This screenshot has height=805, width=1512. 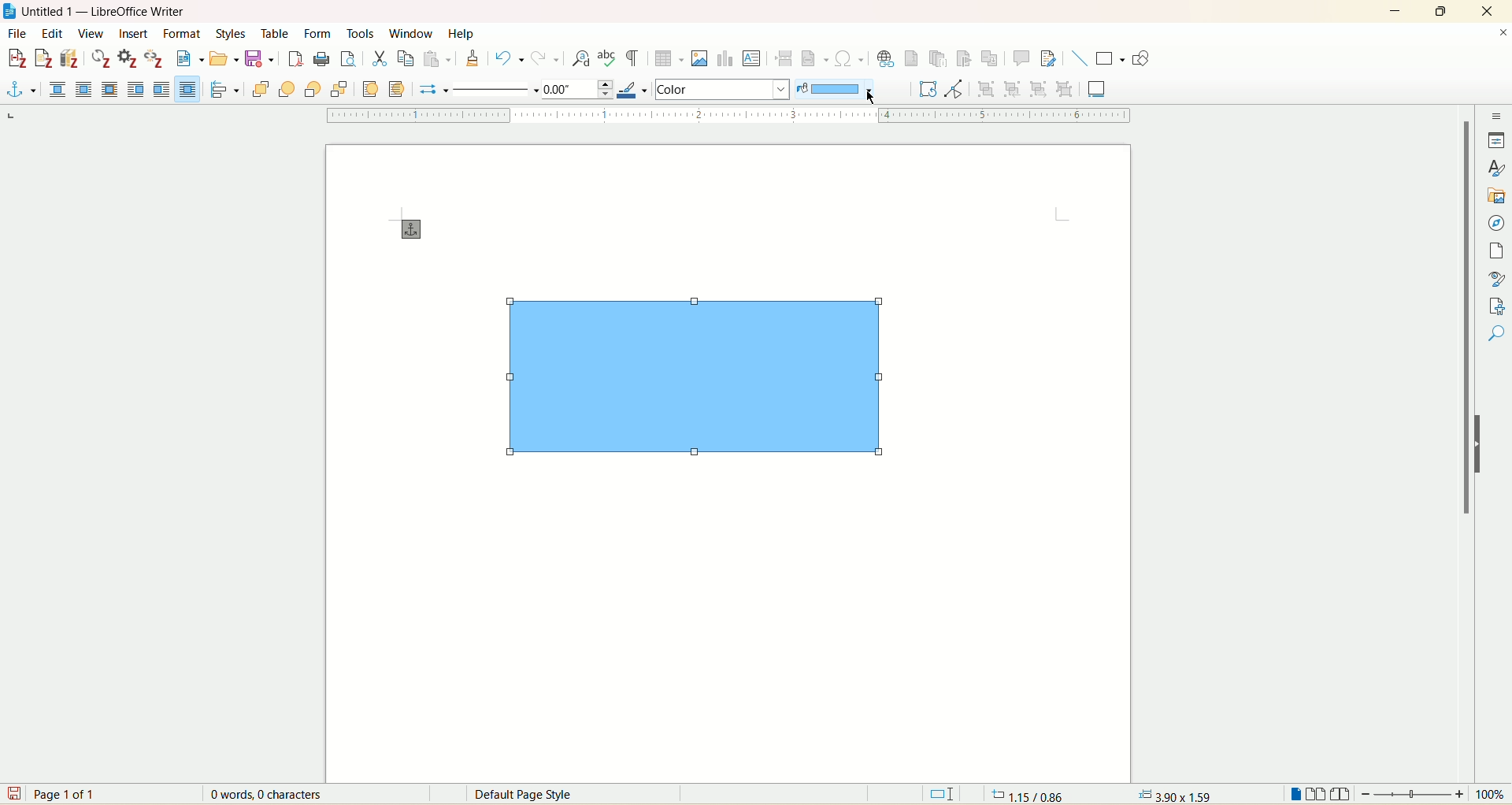 I want to click on unlink citation, so click(x=153, y=58).